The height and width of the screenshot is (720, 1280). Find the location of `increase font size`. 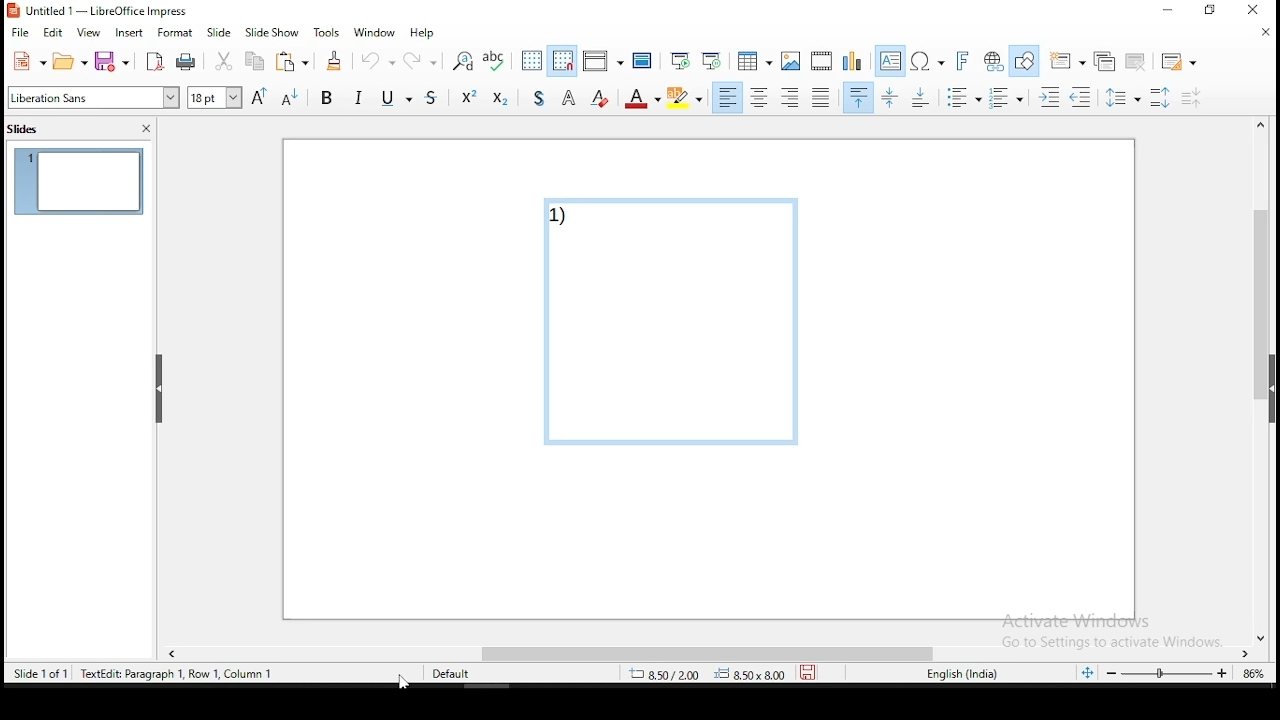

increase font size is located at coordinates (259, 97).